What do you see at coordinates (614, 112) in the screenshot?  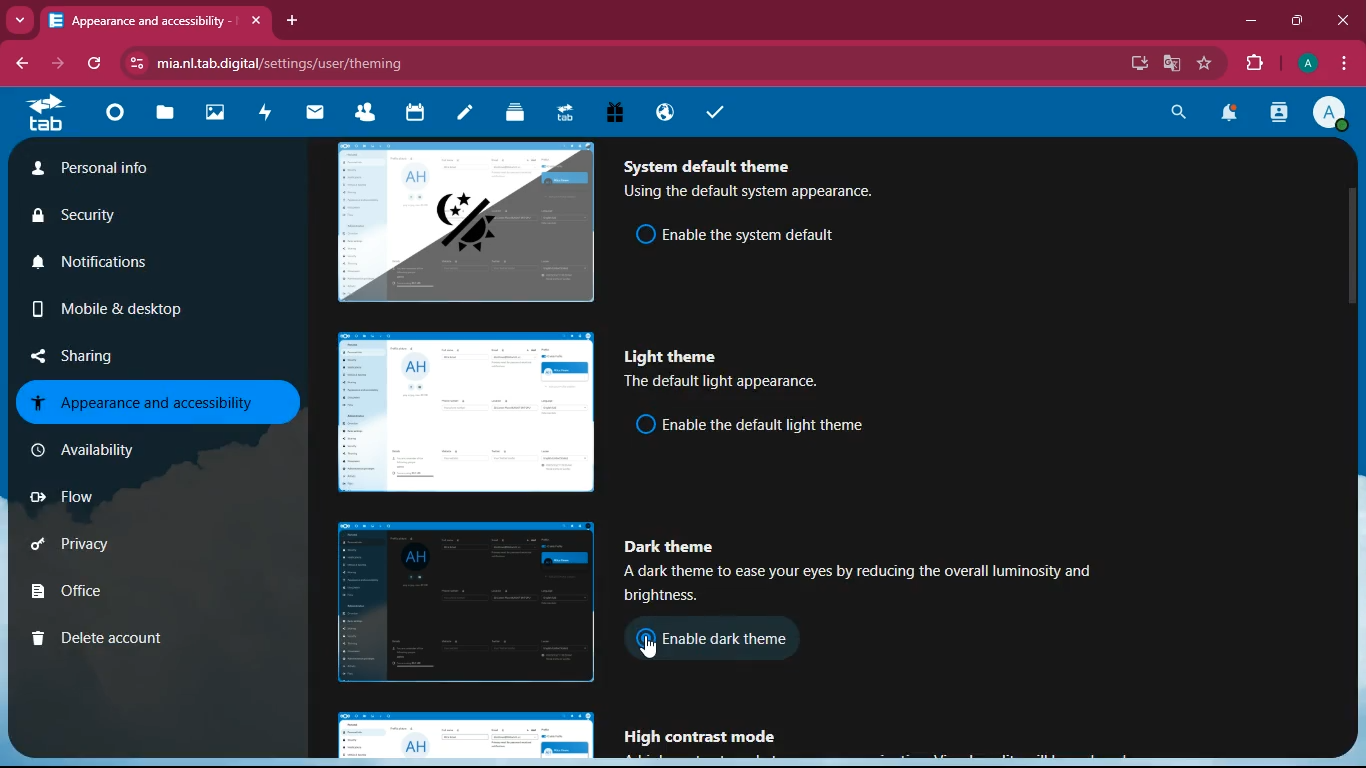 I see `gift` at bounding box center [614, 112].